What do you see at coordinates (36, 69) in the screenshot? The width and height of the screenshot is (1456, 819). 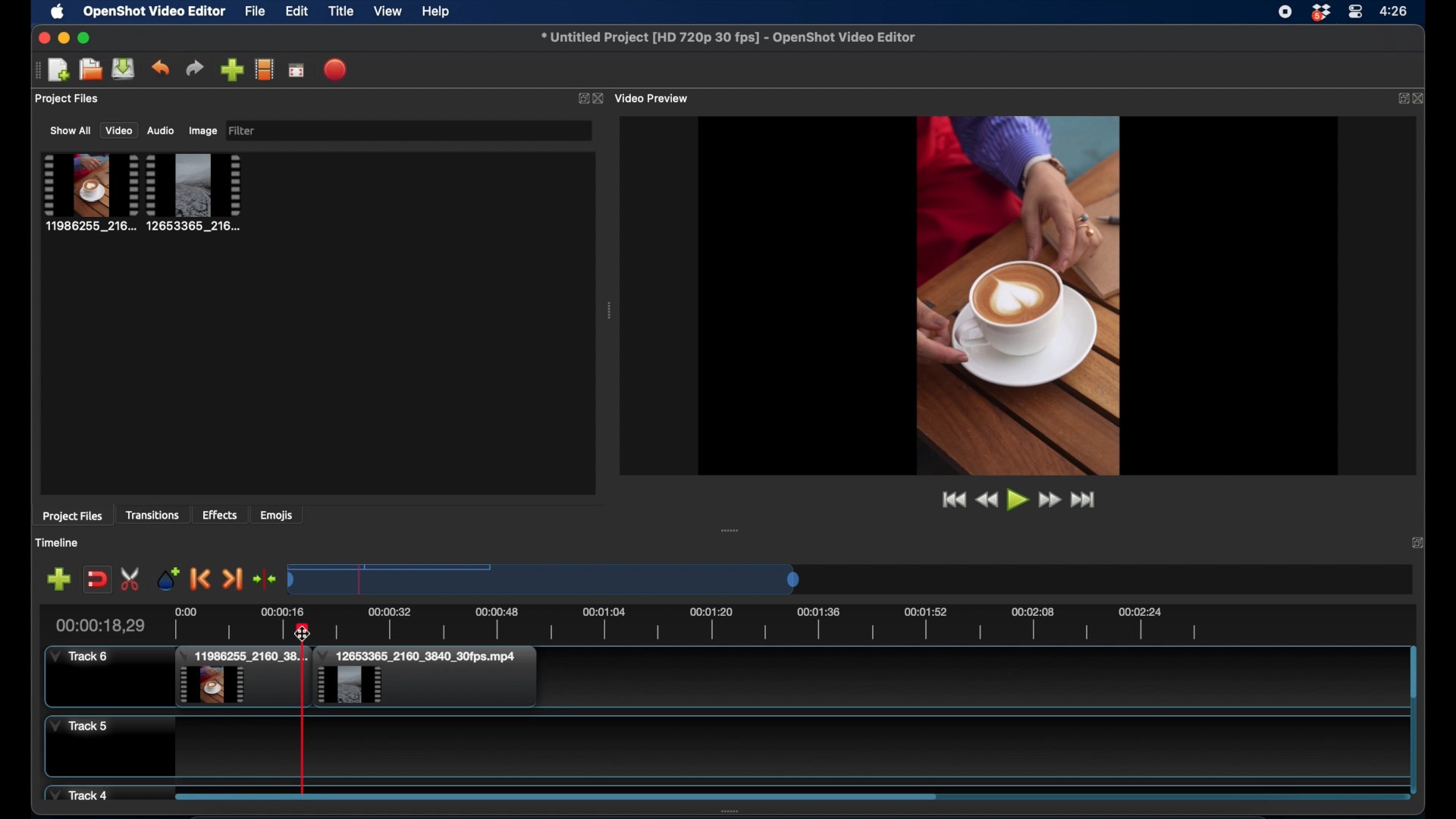 I see `drag handle` at bounding box center [36, 69].